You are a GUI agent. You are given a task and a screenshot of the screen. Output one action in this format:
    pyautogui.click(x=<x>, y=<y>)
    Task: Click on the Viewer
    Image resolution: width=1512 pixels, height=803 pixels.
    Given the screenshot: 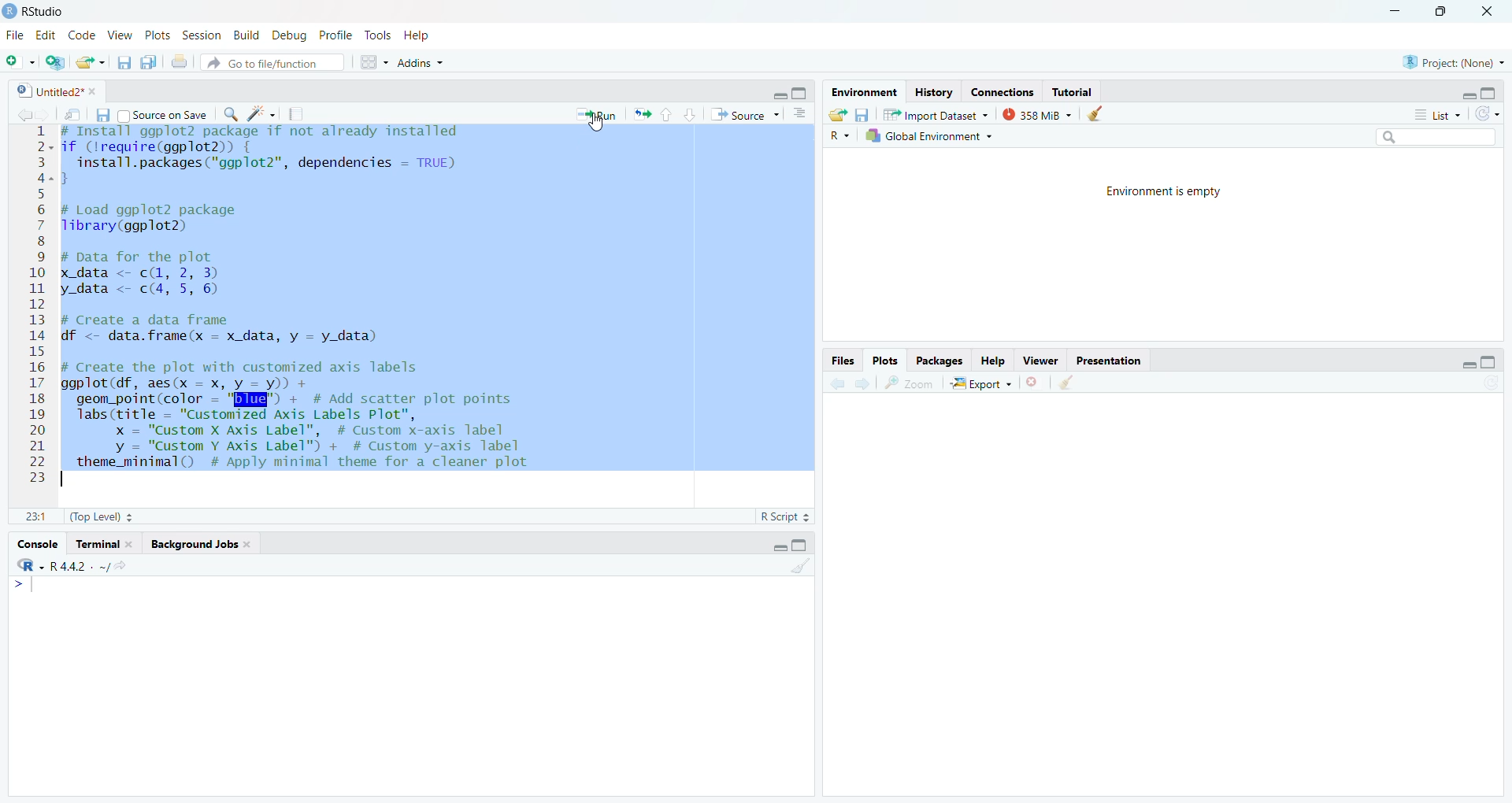 What is the action you would take?
    pyautogui.click(x=1038, y=361)
    